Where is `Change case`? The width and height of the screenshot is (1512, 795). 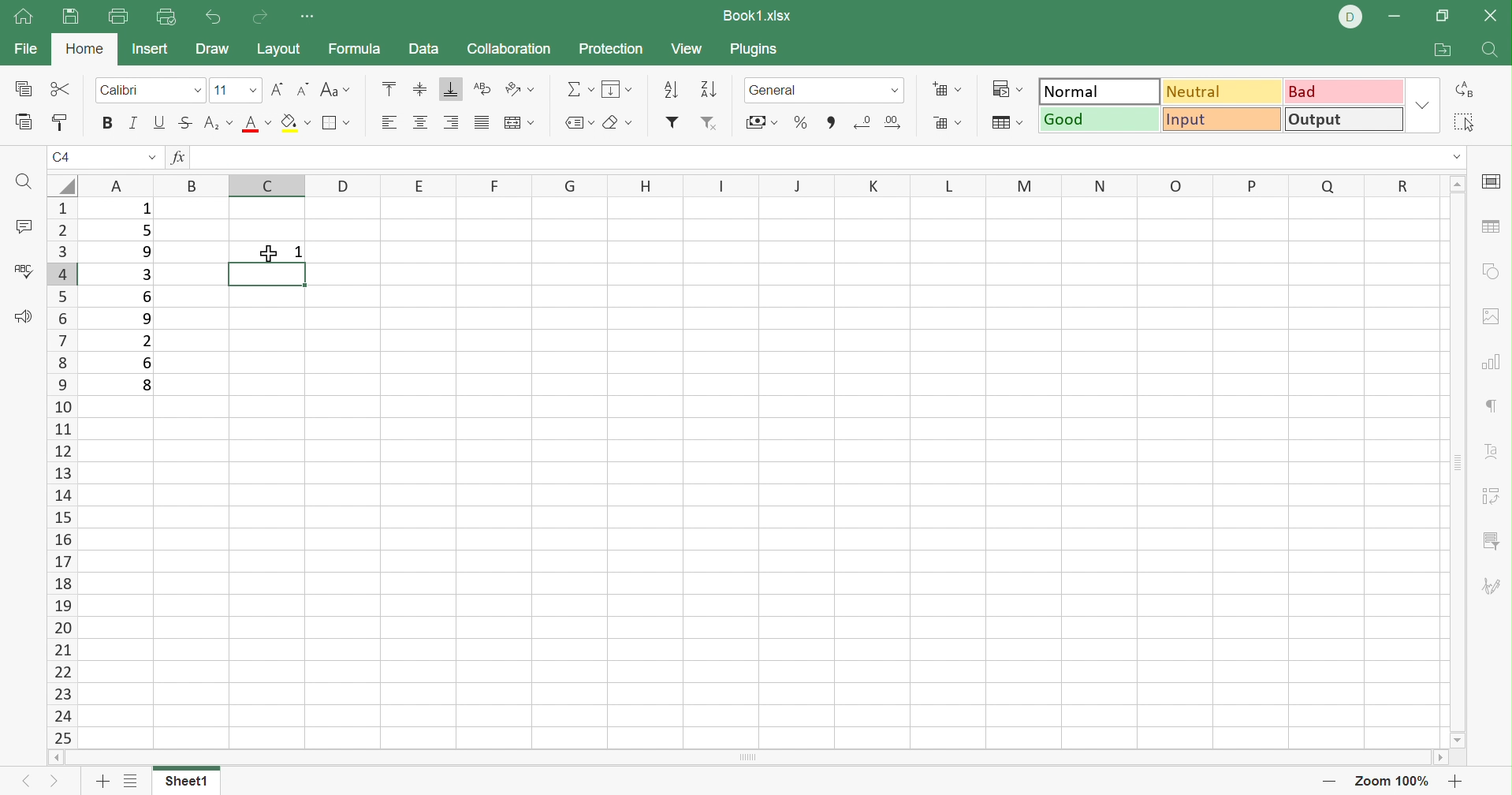
Change case is located at coordinates (338, 88).